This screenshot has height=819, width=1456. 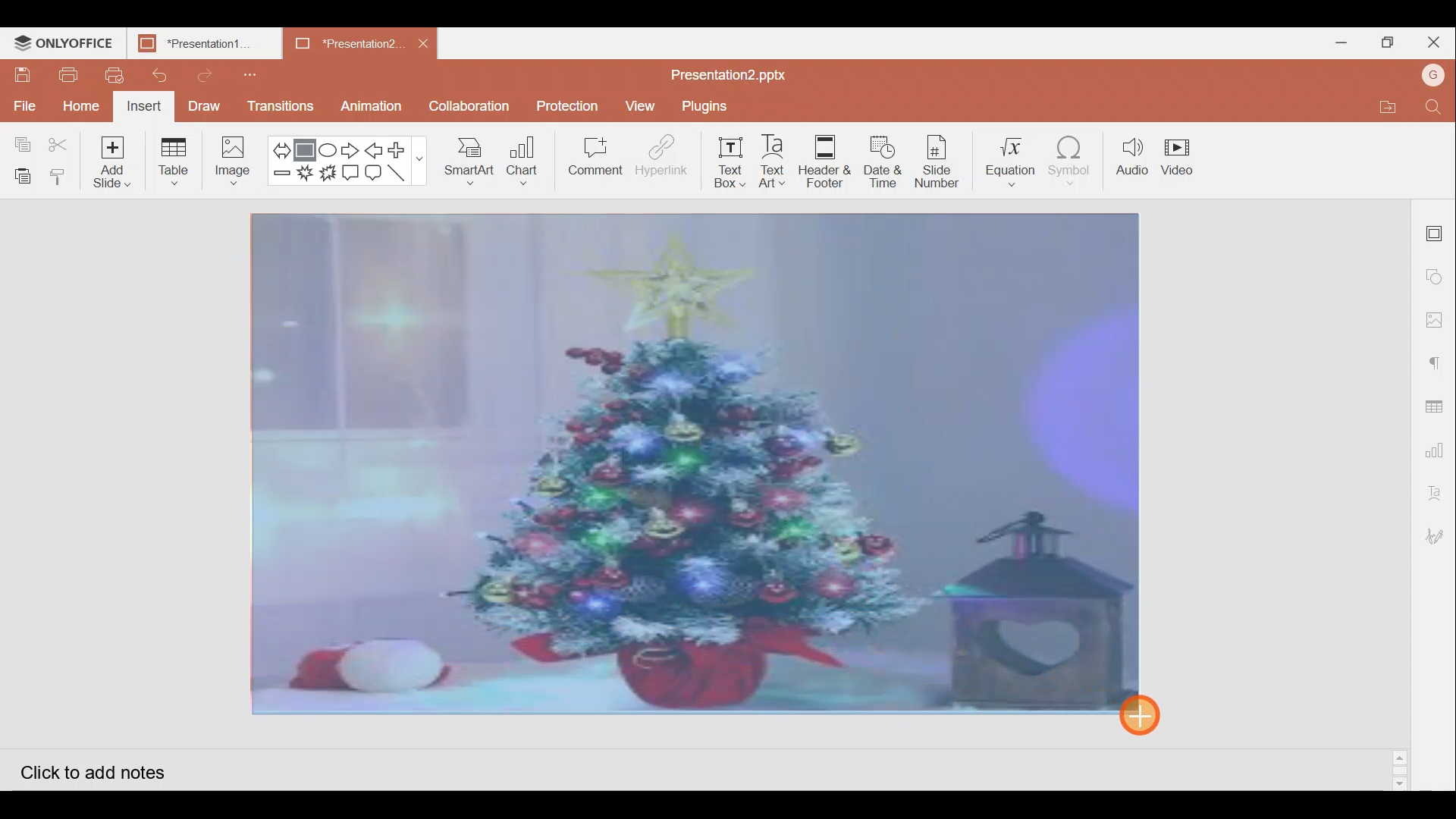 What do you see at coordinates (1438, 108) in the screenshot?
I see `Find` at bounding box center [1438, 108].